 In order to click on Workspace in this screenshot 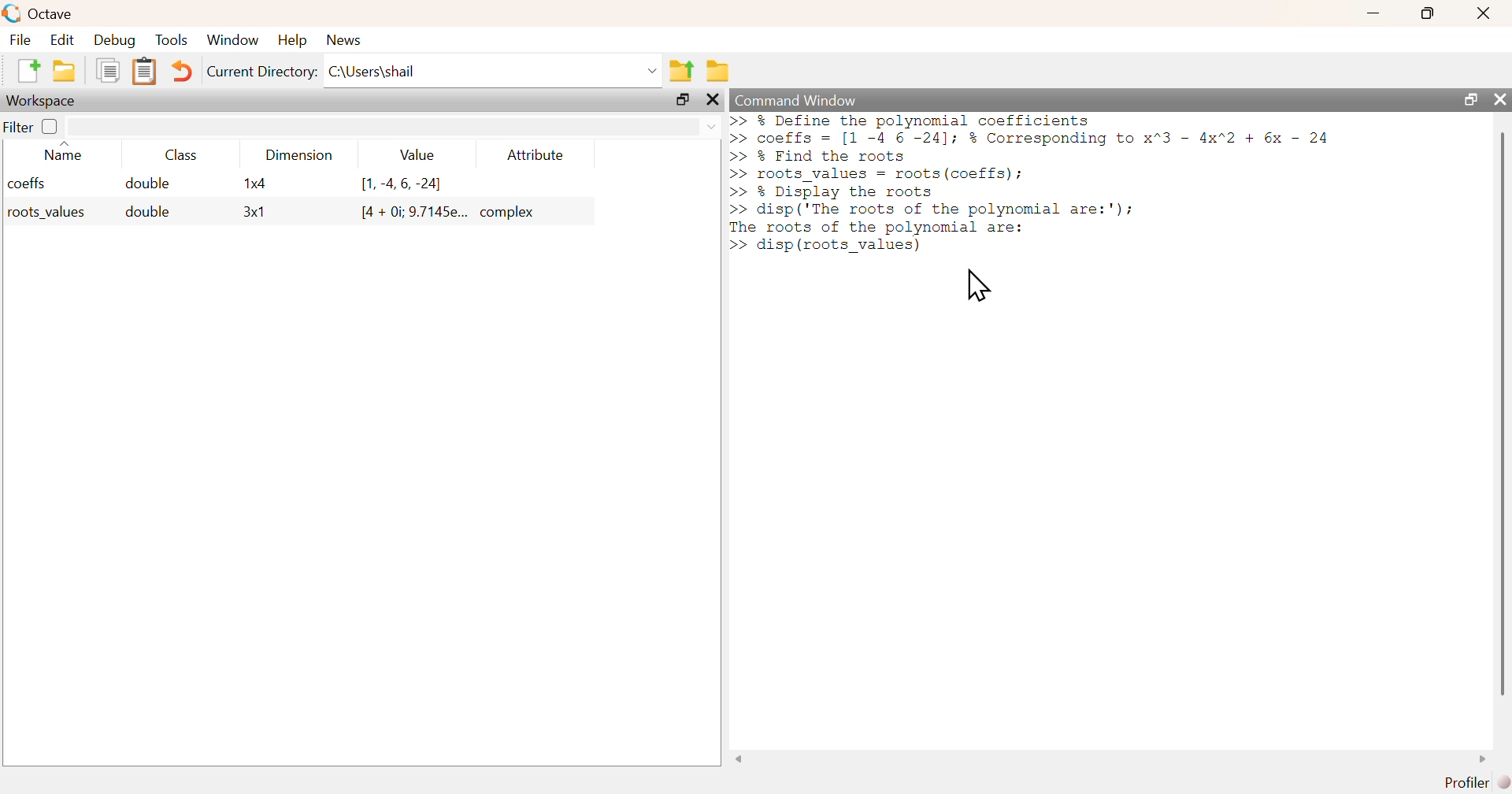, I will do `click(43, 100)`.